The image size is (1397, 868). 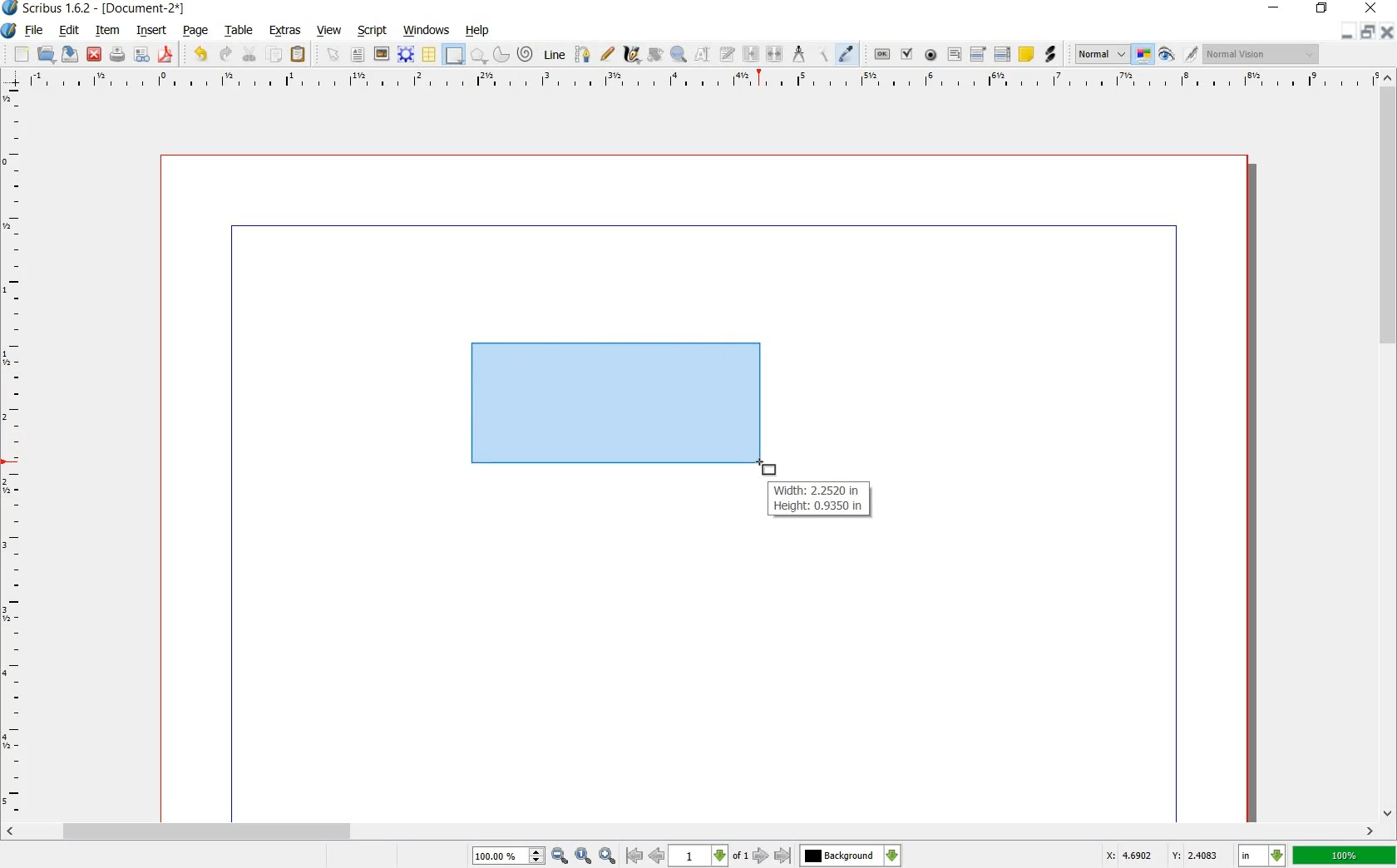 I want to click on EDIT, so click(x=68, y=31).